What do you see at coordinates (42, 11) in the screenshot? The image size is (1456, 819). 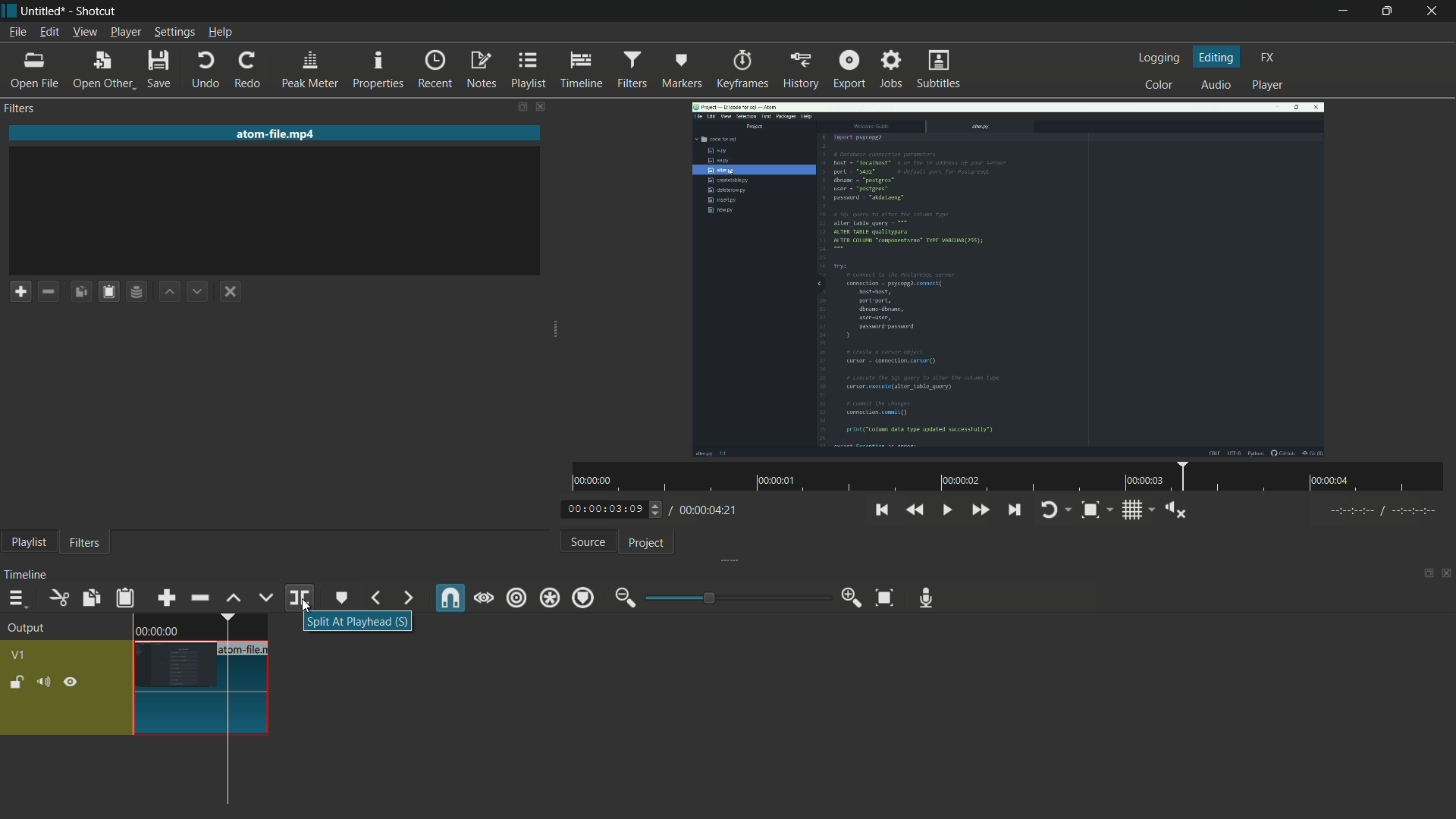 I see `project name` at bounding box center [42, 11].